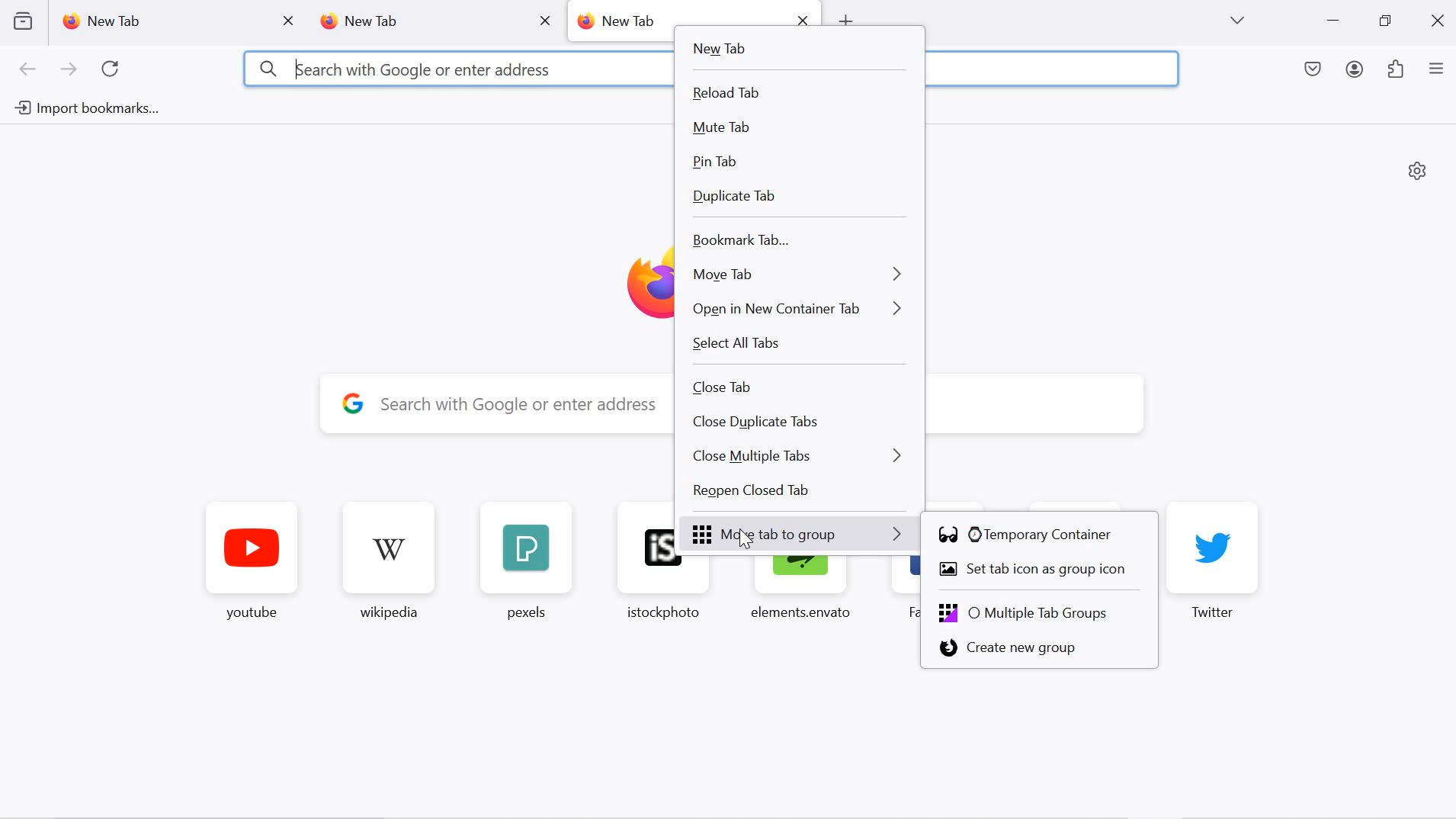 This screenshot has height=819, width=1456. What do you see at coordinates (799, 493) in the screenshot?
I see `reopen closed tab` at bounding box center [799, 493].